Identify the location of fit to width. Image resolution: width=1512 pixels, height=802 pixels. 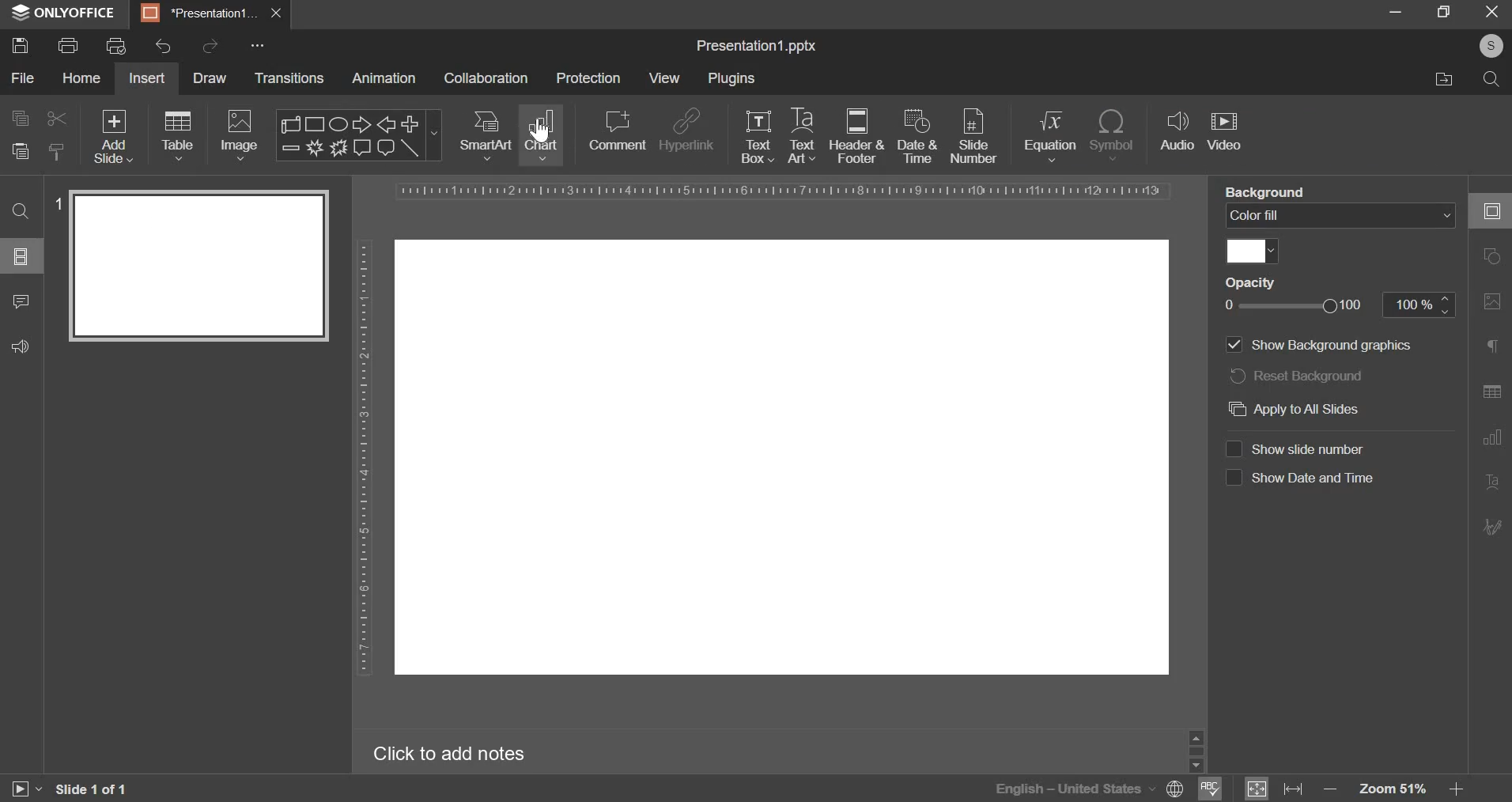
(1295, 789).